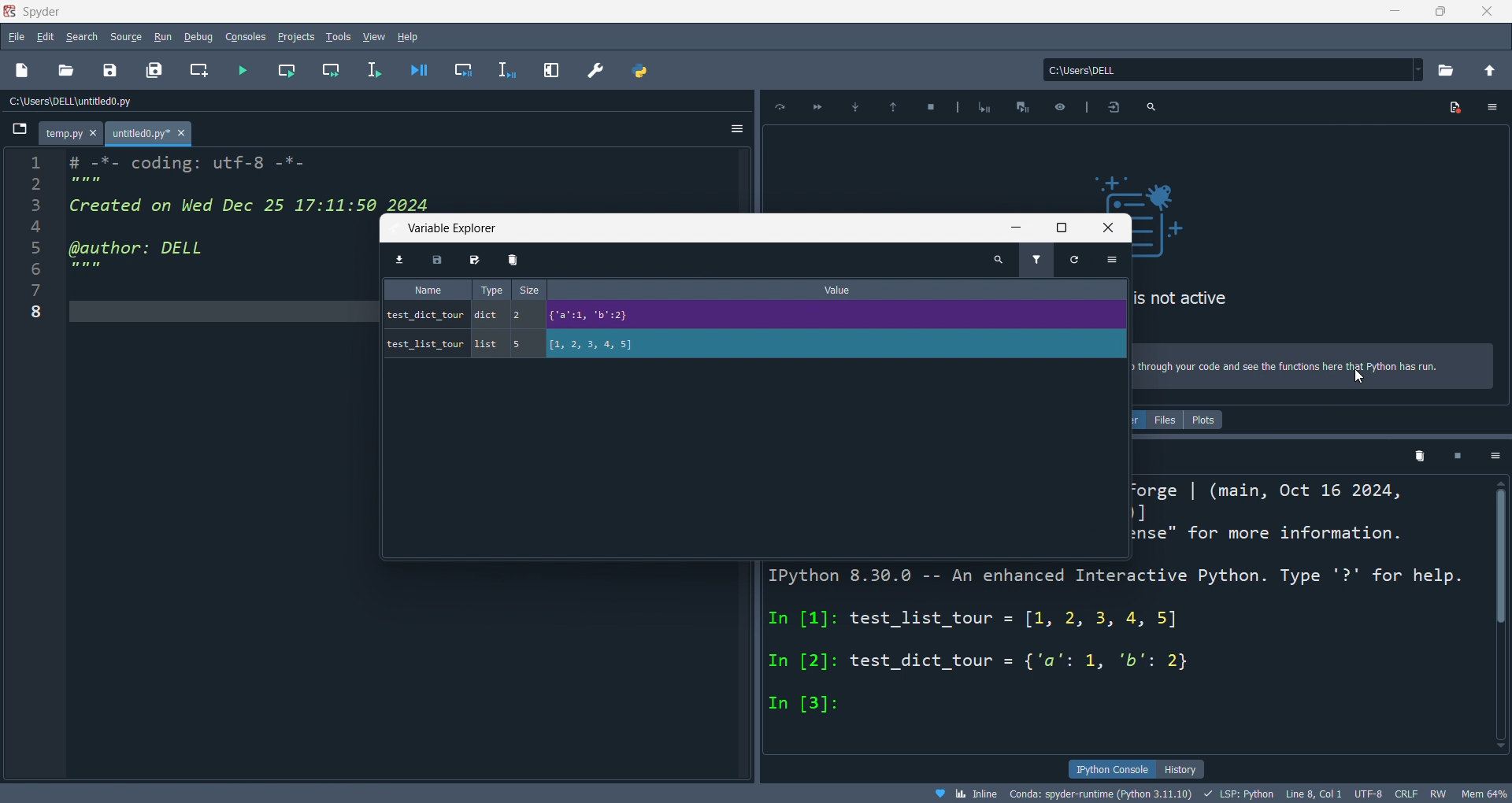 This screenshot has width=1512, height=803. Describe the element at coordinates (1104, 794) in the screenshot. I see `Conds: spyder-runtime(Python3.11.10)` at that location.